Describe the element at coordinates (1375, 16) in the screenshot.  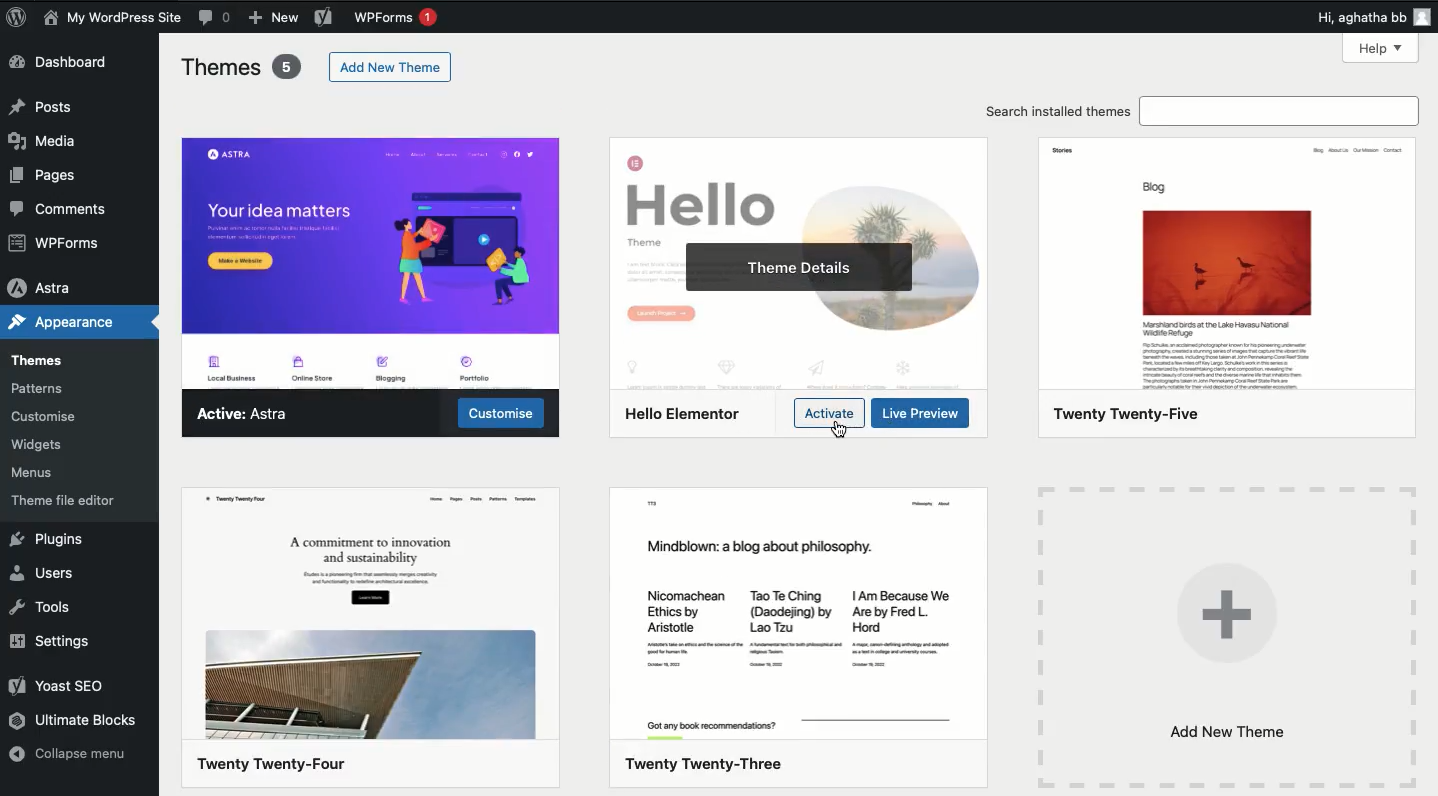
I see `Hi user` at that location.